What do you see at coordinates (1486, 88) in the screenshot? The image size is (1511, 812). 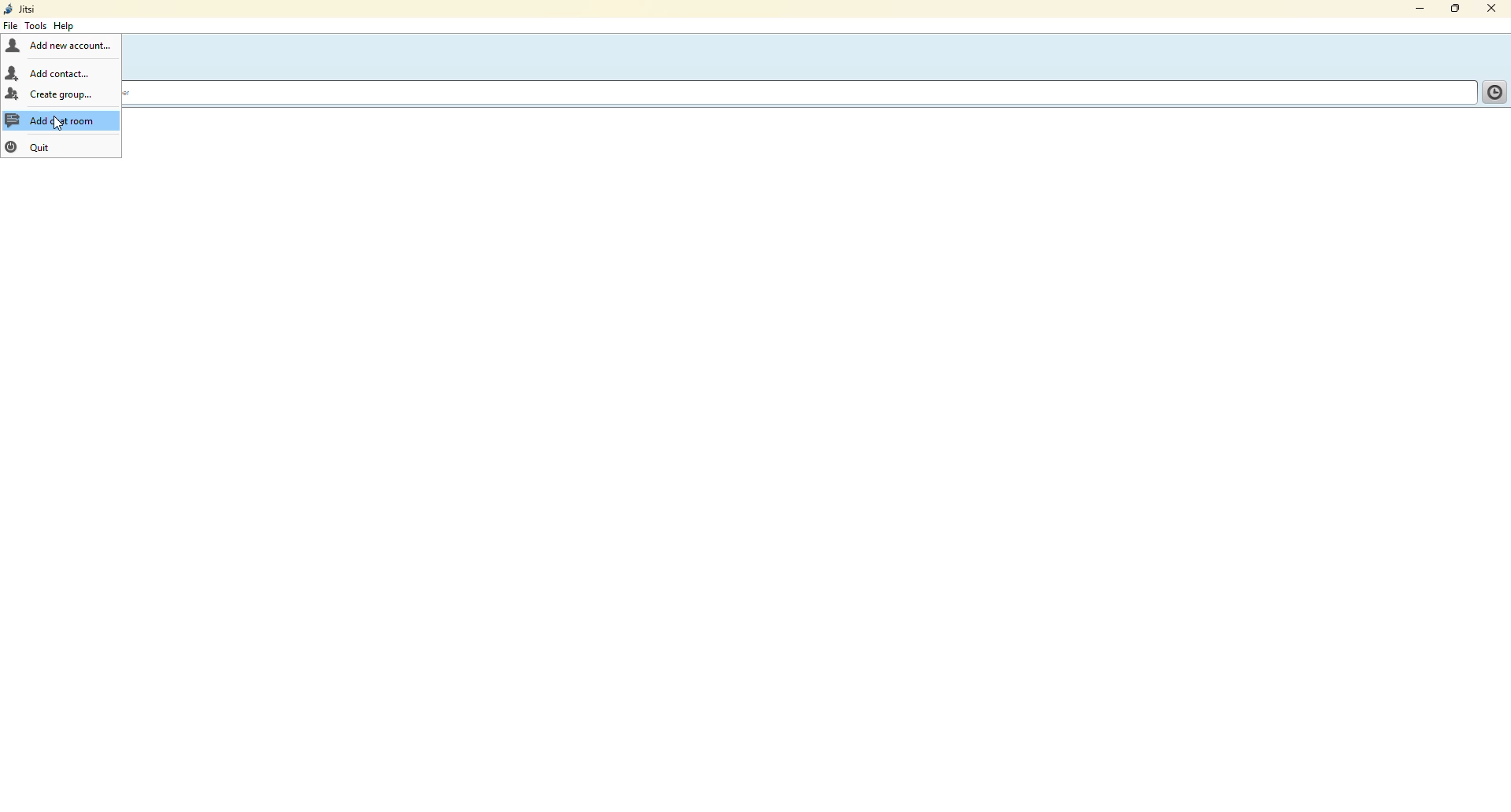 I see `contact list` at bounding box center [1486, 88].